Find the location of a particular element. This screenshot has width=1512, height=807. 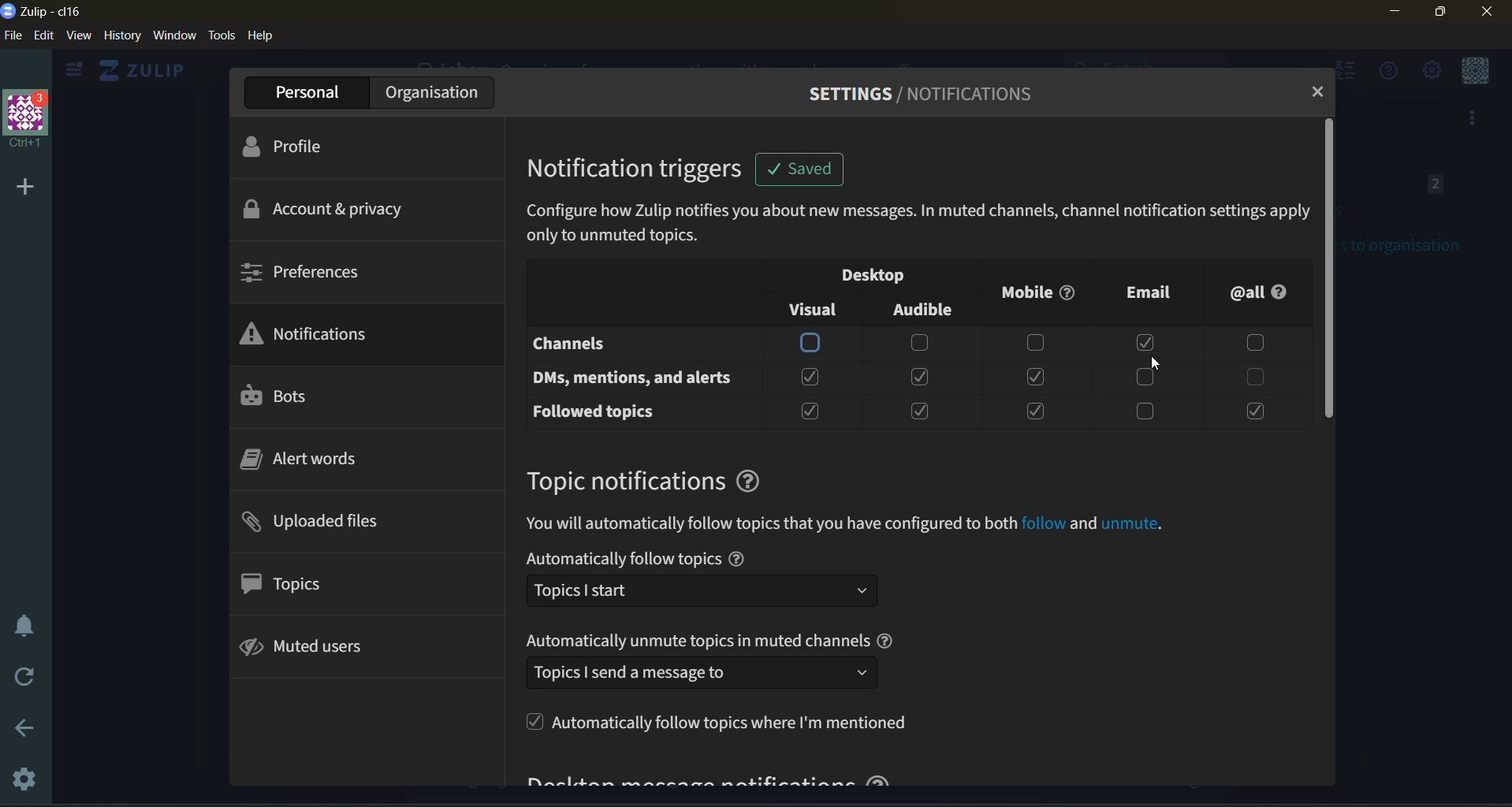

checkbox is located at coordinates (1249, 342).